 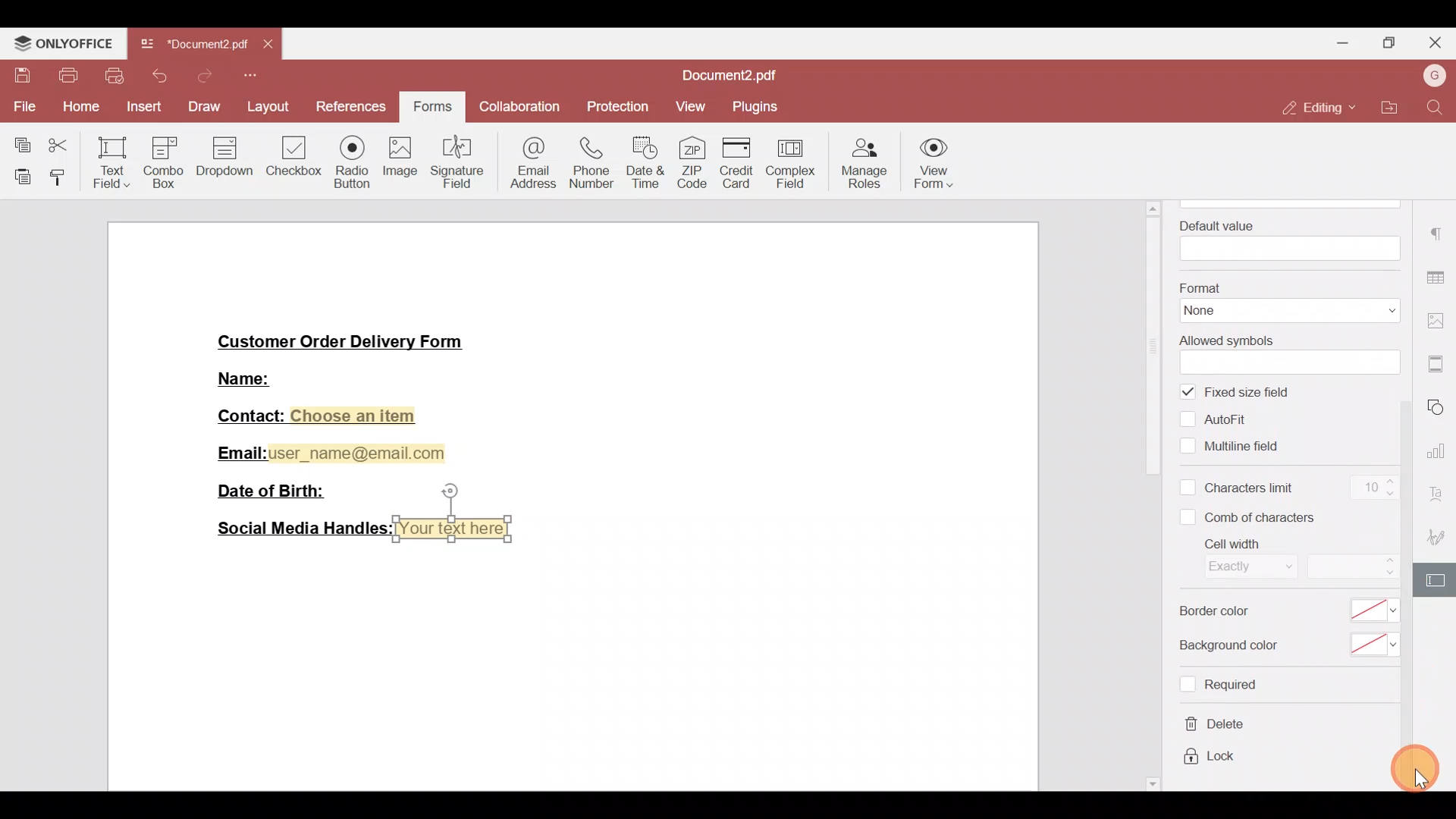 I want to click on Date & time, so click(x=645, y=162).